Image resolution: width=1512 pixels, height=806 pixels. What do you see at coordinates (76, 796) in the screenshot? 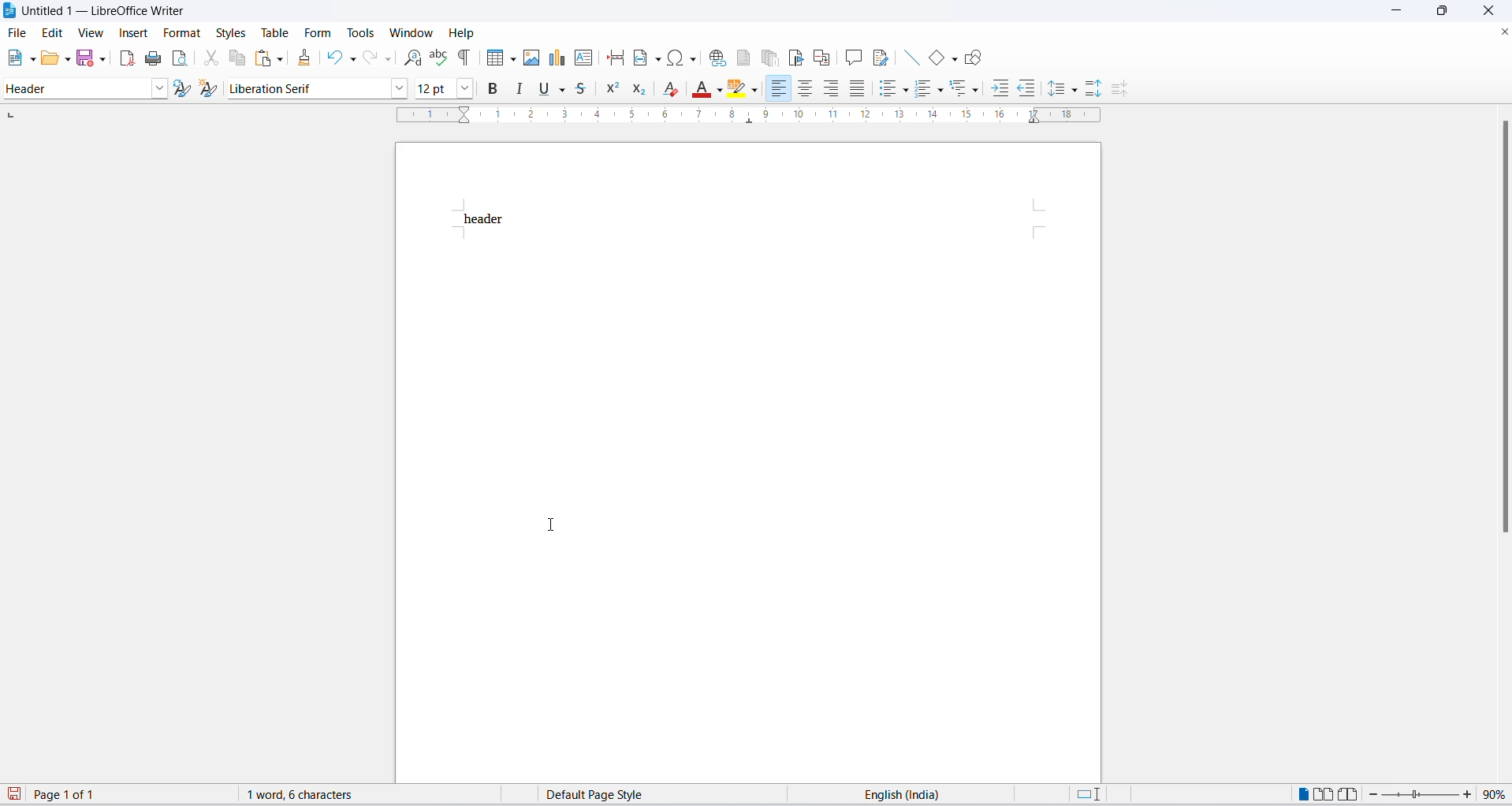
I see `total and current page` at bounding box center [76, 796].